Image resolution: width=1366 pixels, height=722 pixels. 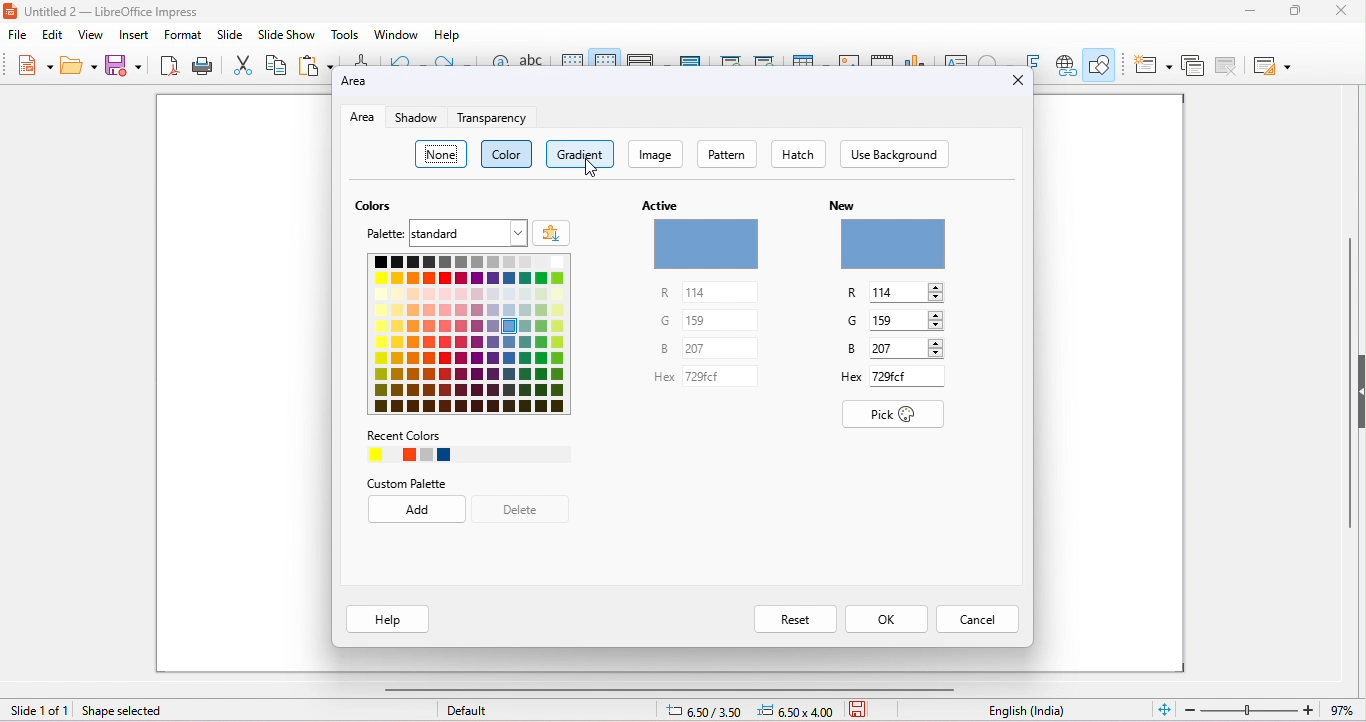 I want to click on copy, so click(x=276, y=64).